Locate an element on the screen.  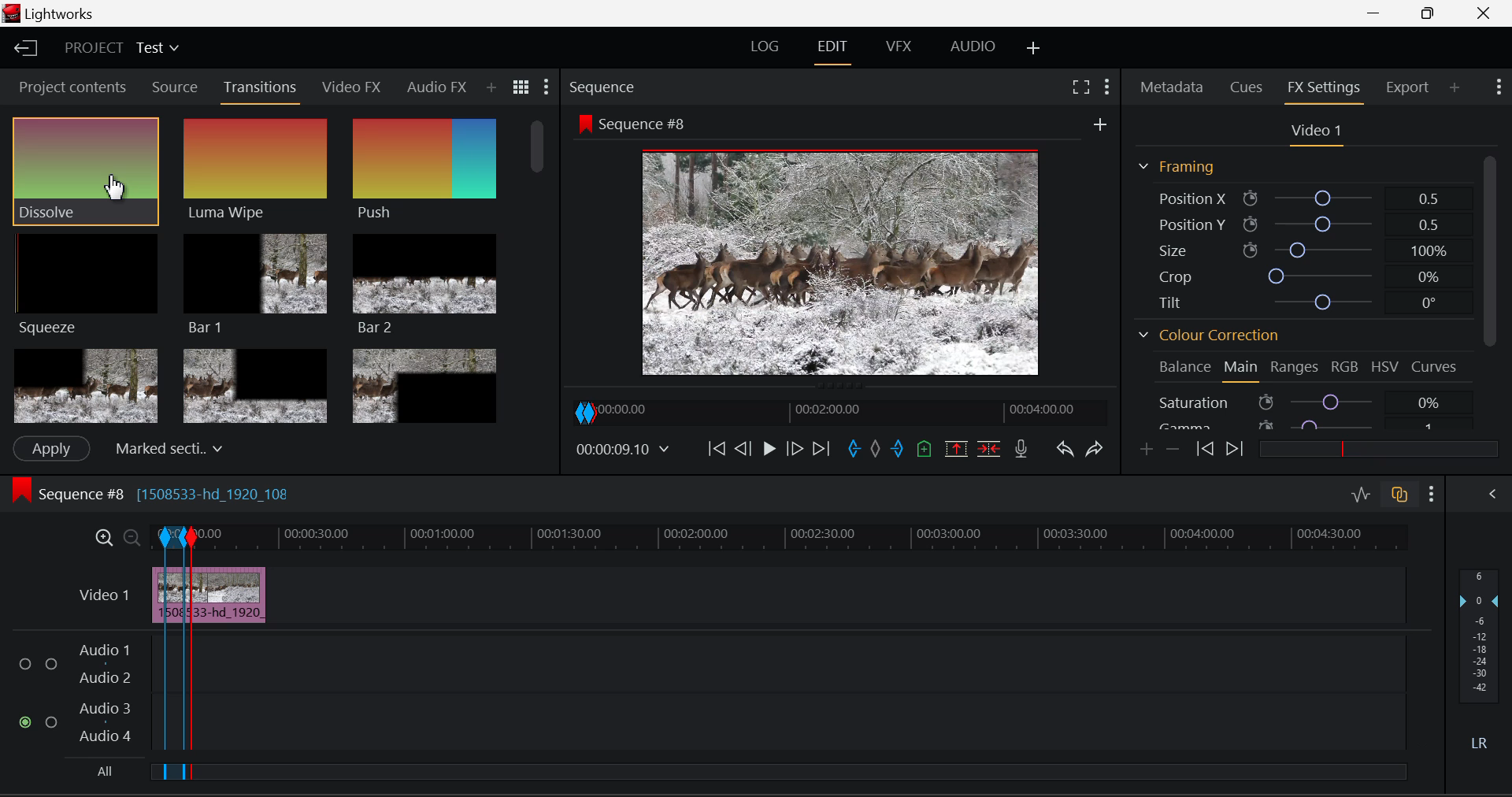
Scroll Bar is located at coordinates (541, 267).